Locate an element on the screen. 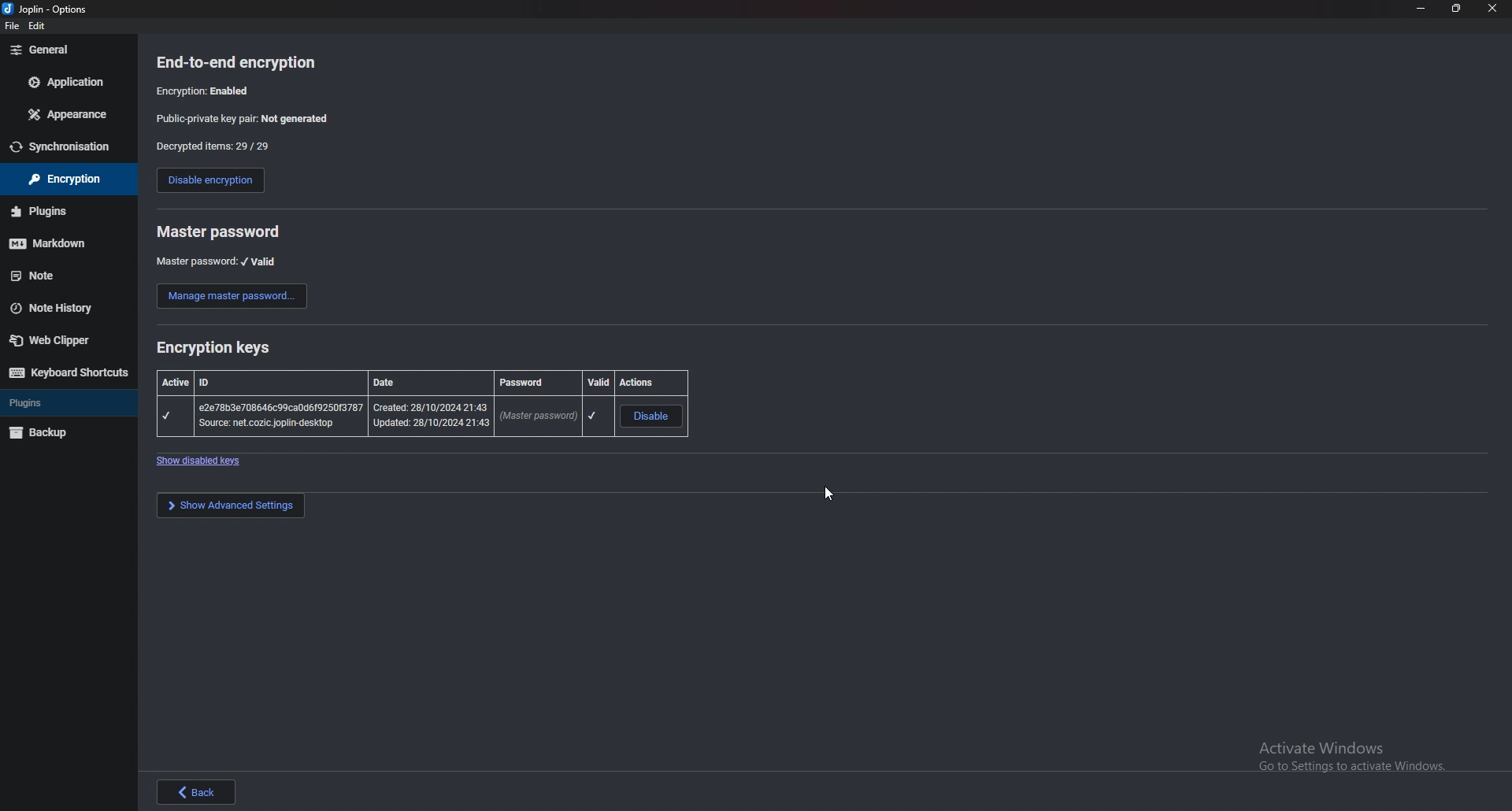 Image resolution: width=1512 pixels, height=811 pixels. second row is located at coordinates (422, 417).